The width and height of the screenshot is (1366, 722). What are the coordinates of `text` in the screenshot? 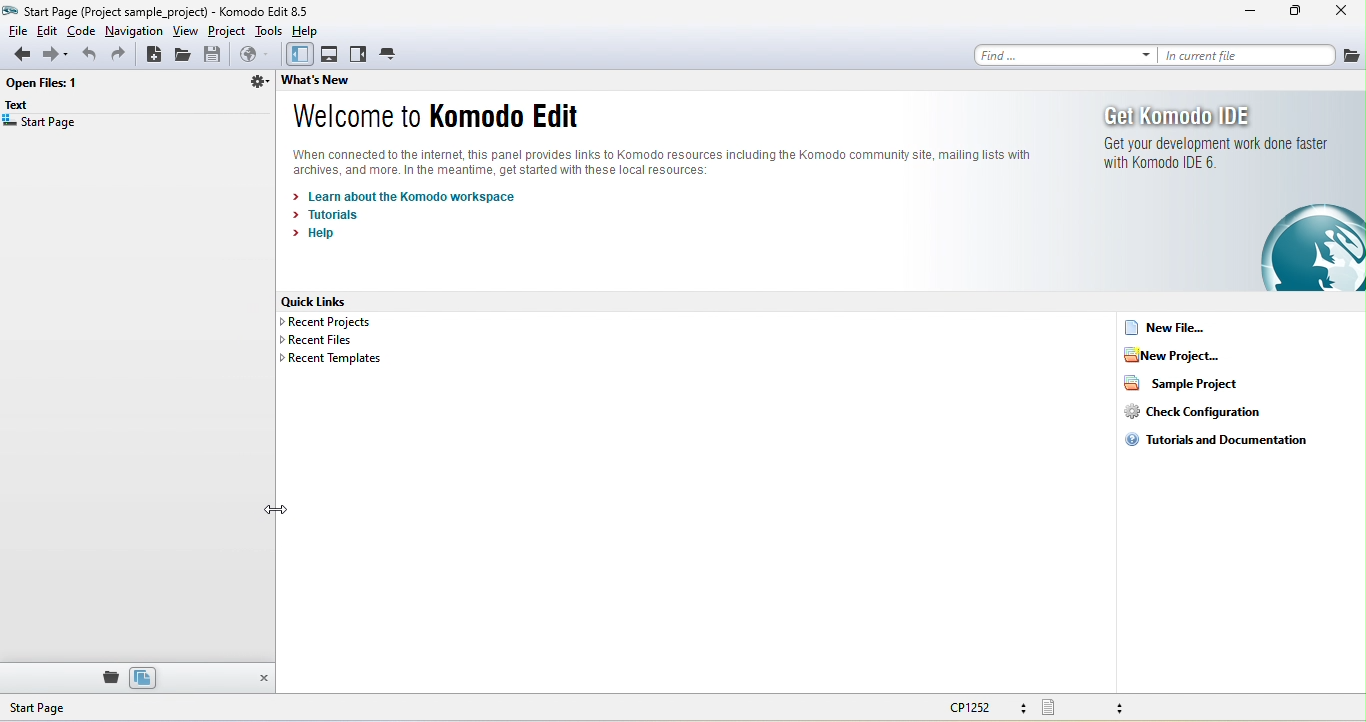 It's located at (23, 106).